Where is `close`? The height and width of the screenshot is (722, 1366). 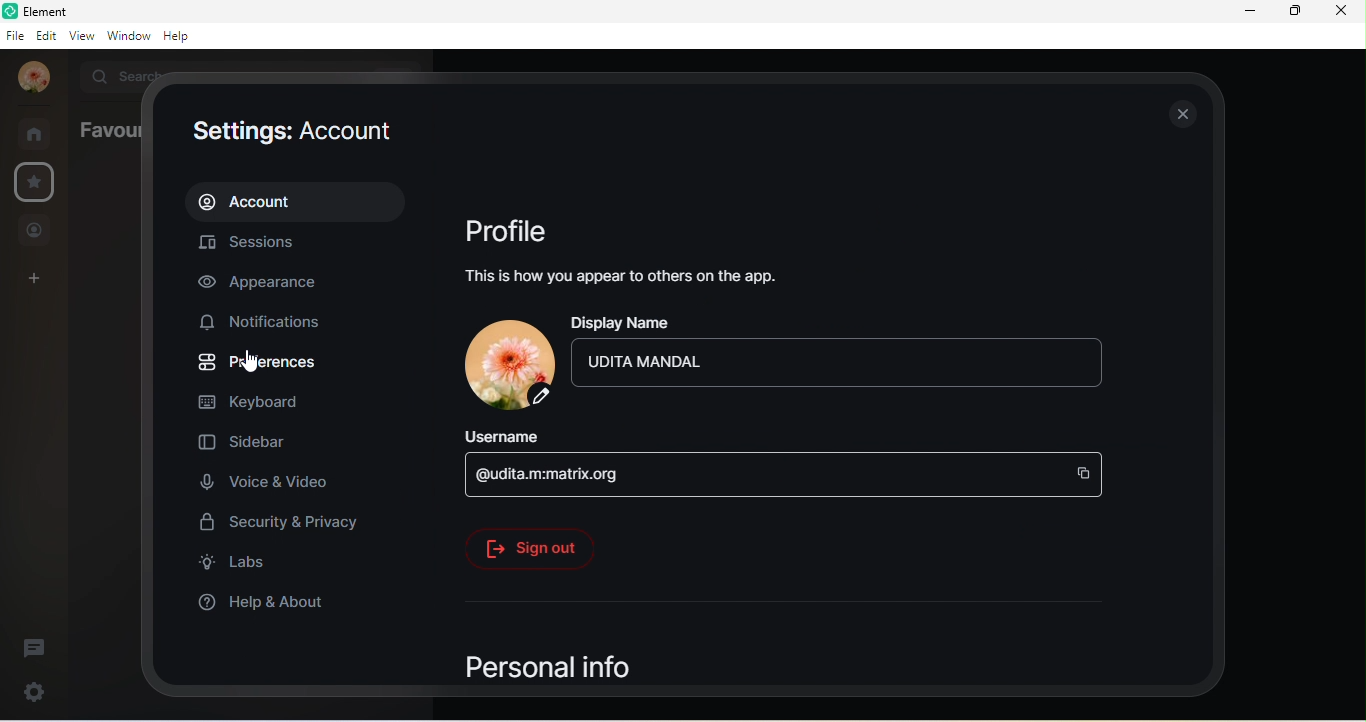
close is located at coordinates (1179, 109).